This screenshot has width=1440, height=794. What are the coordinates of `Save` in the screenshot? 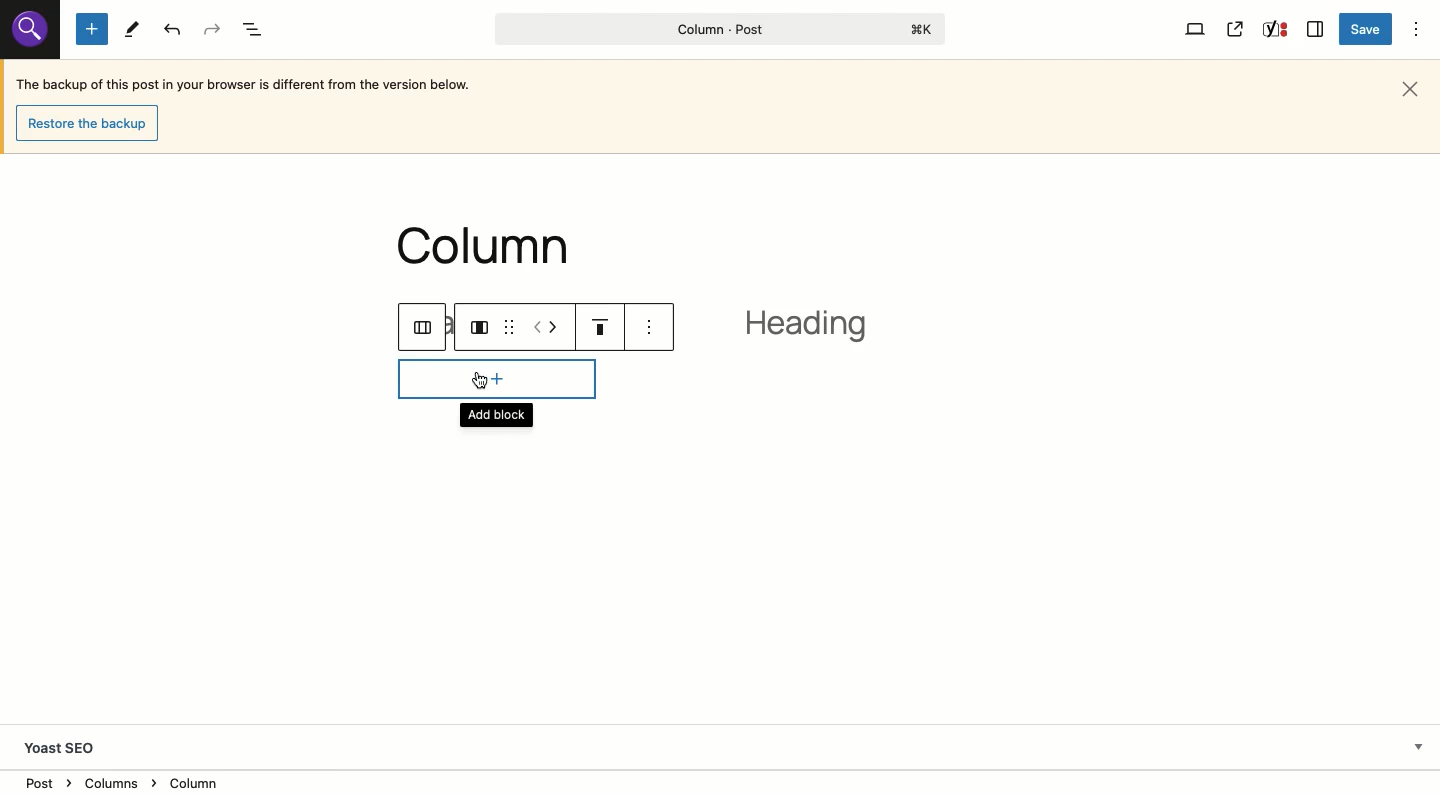 It's located at (1368, 30).